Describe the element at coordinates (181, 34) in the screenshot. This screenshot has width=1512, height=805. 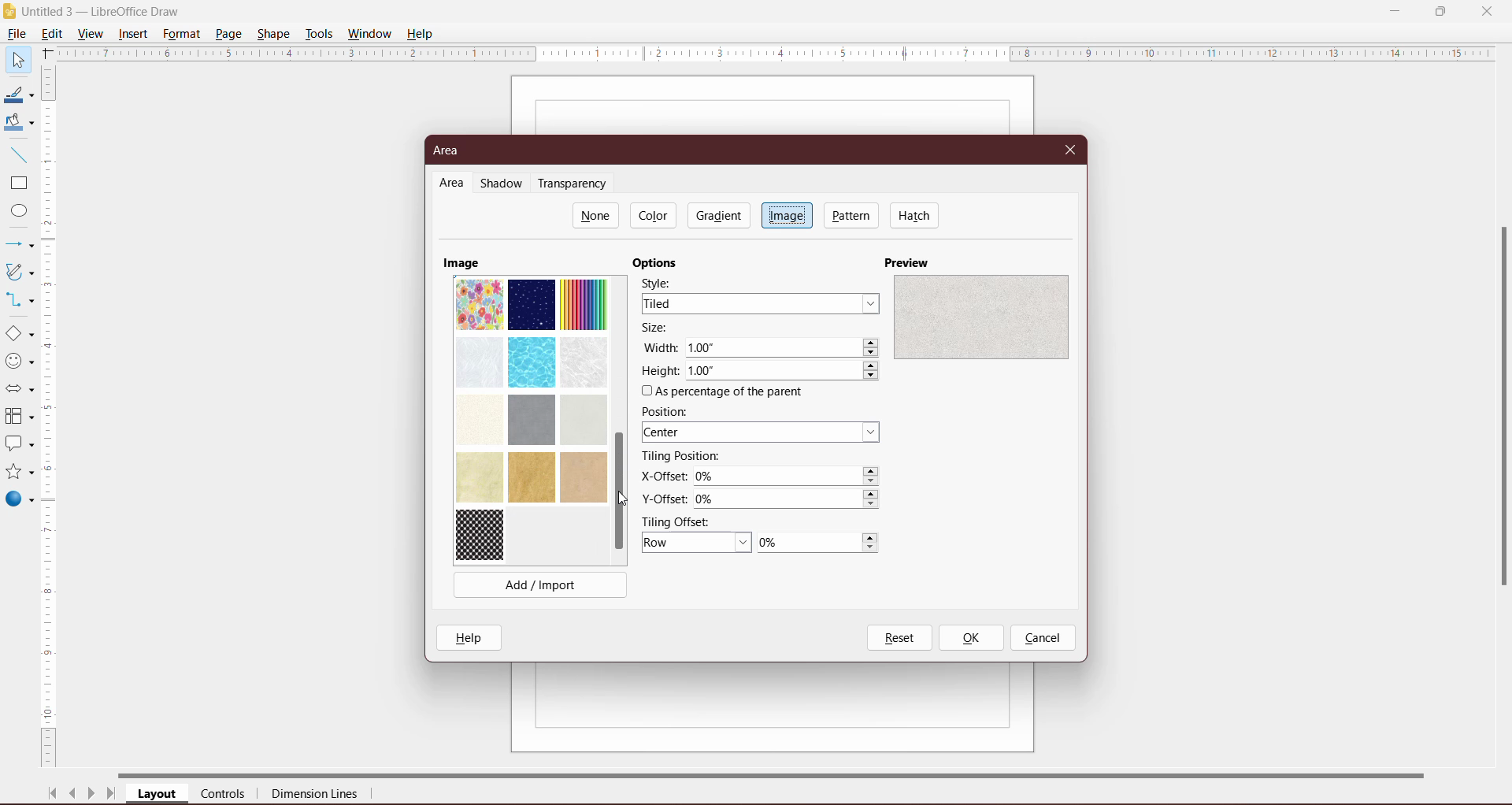
I see `Format` at that location.